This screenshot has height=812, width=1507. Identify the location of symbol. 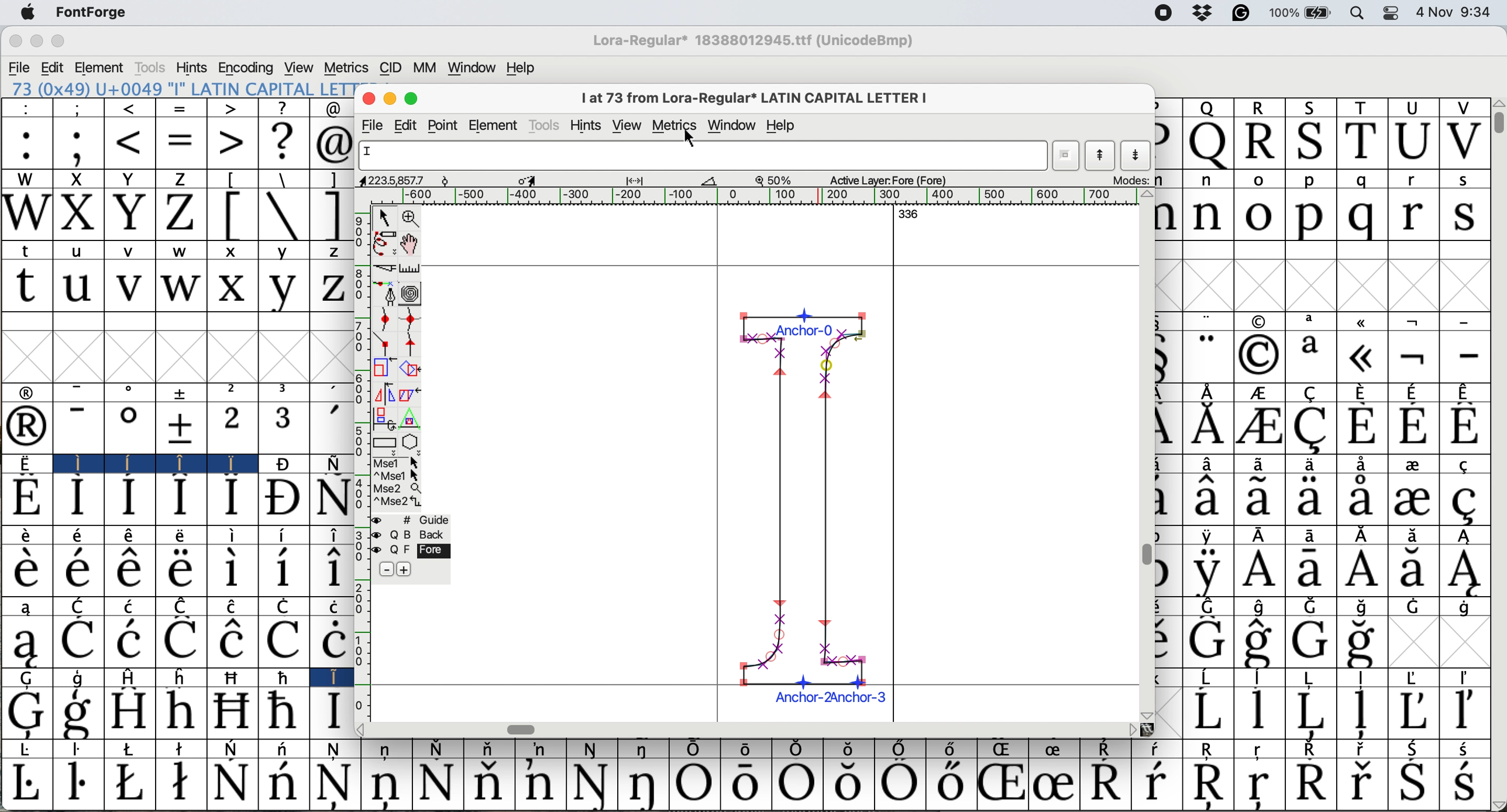
(1209, 391).